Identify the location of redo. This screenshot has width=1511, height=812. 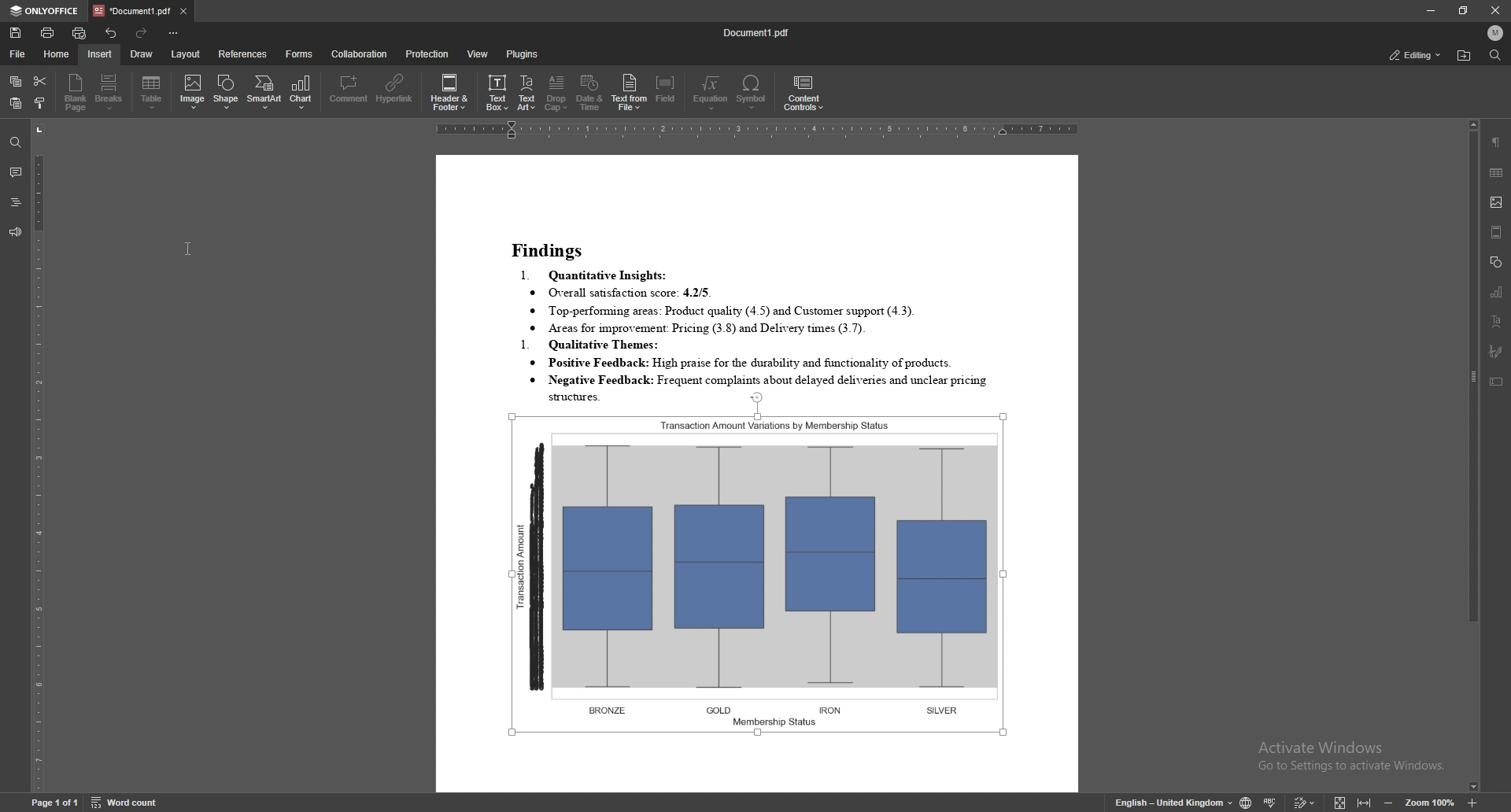
(143, 32).